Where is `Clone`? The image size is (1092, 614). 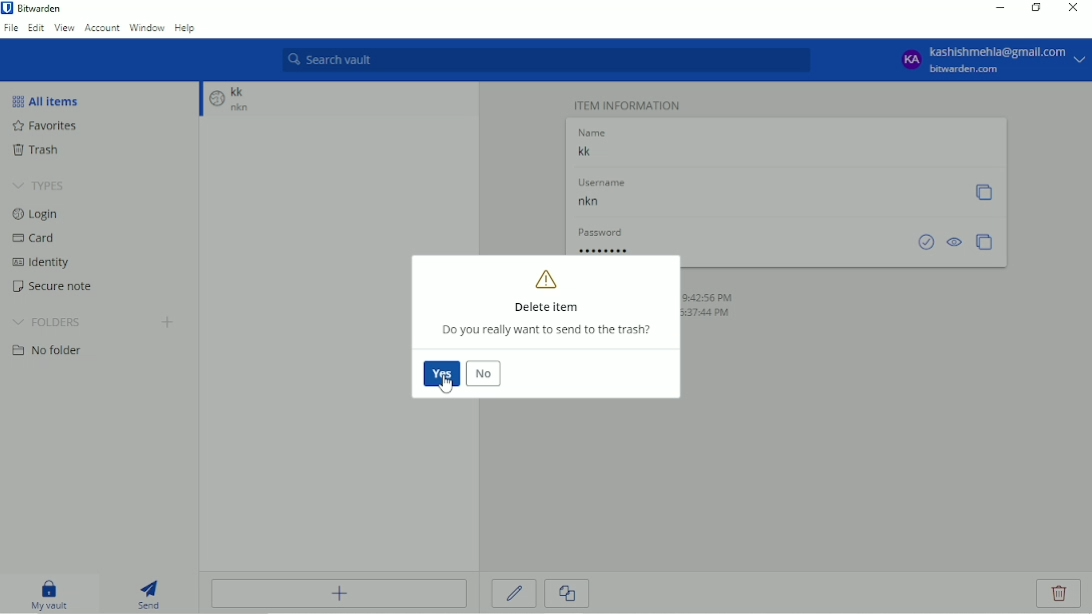 Clone is located at coordinates (569, 595).